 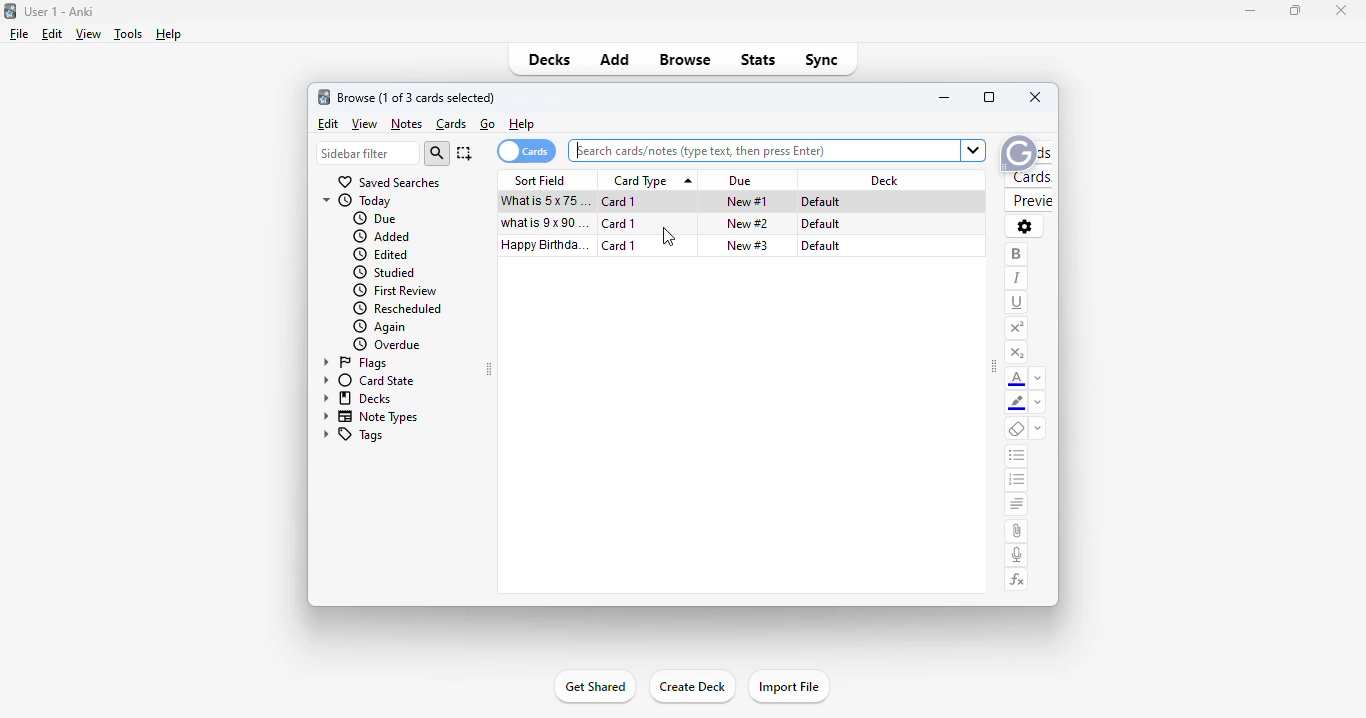 What do you see at coordinates (543, 180) in the screenshot?
I see `sort field` at bounding box center [543, 180].